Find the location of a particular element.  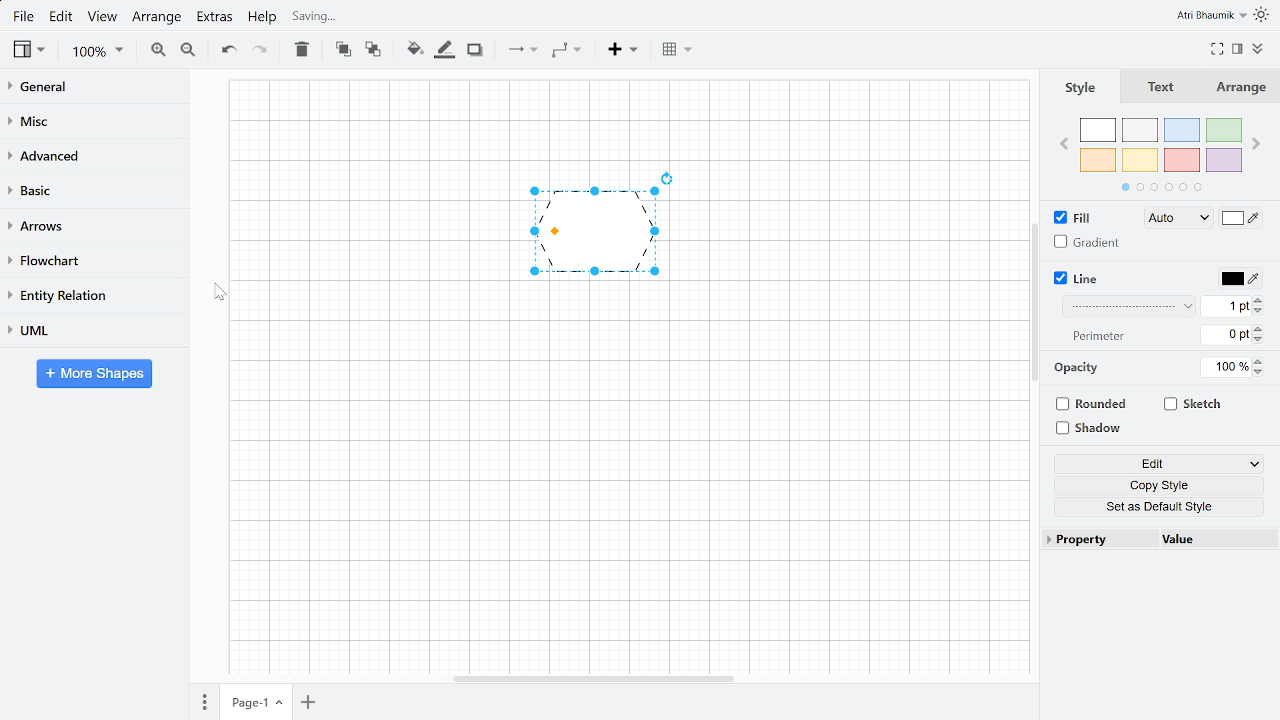

Table is located at coordinates (676, 50).